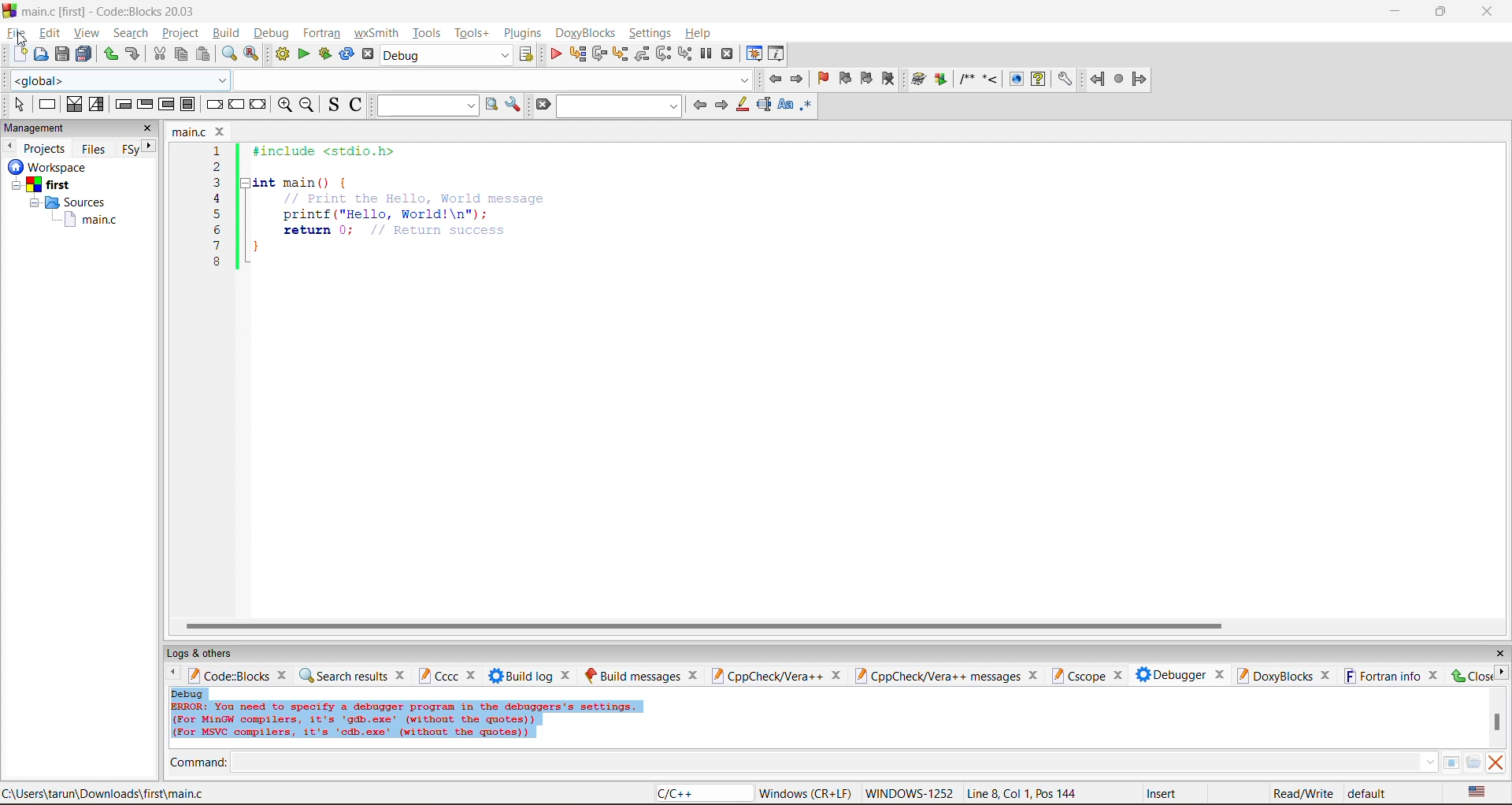  What do you see at coordinates (217, 246) in the screenshot?
I see `7` at bounding box center [217, 246].